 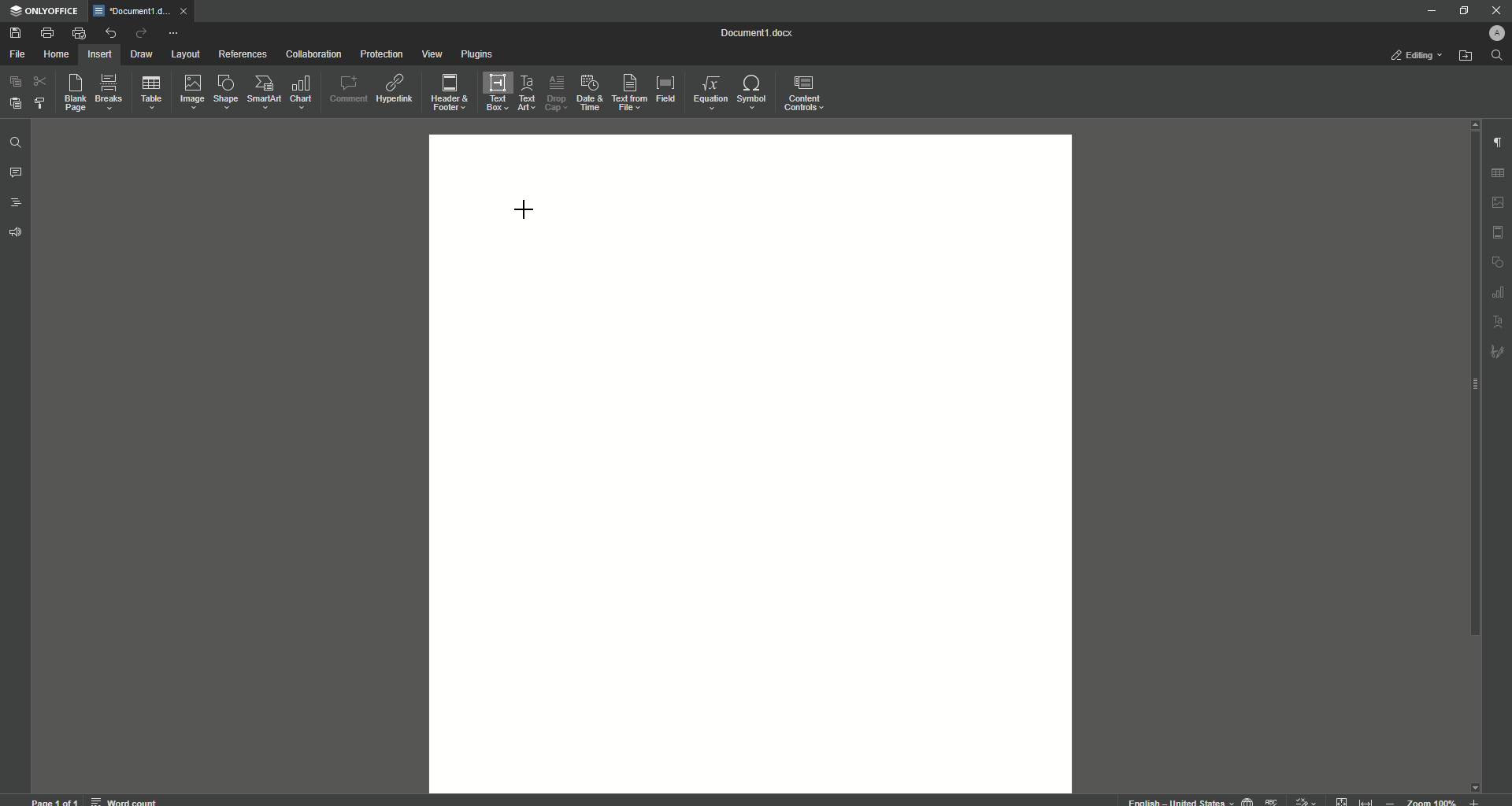 I want to click on Comment, so click(x=348, y=89).